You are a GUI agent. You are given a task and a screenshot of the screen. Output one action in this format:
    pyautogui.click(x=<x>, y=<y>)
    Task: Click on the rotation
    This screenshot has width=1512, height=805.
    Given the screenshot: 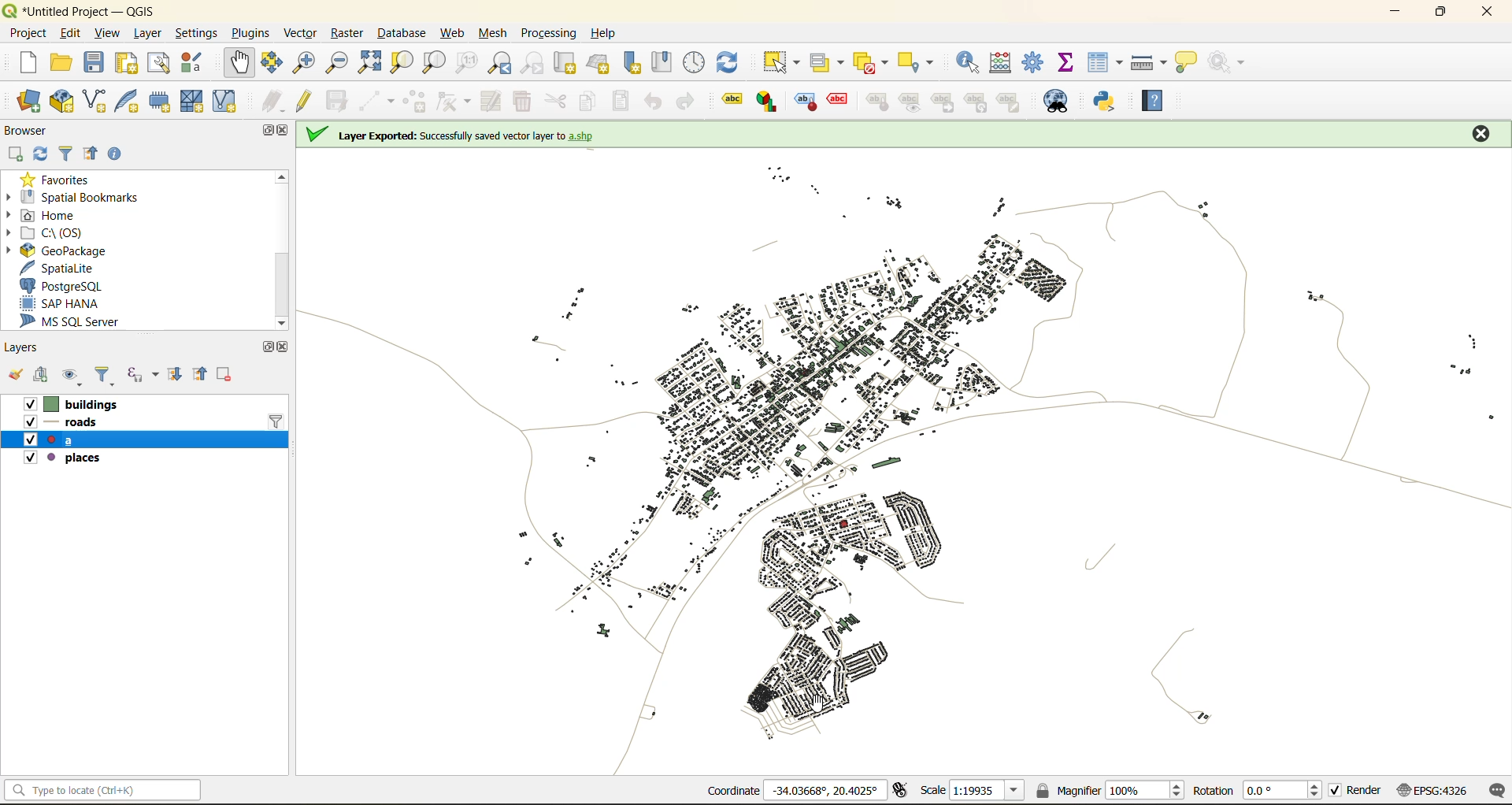 What is the action you would take?
    pyautogui.click(x=1258, y=792)
    